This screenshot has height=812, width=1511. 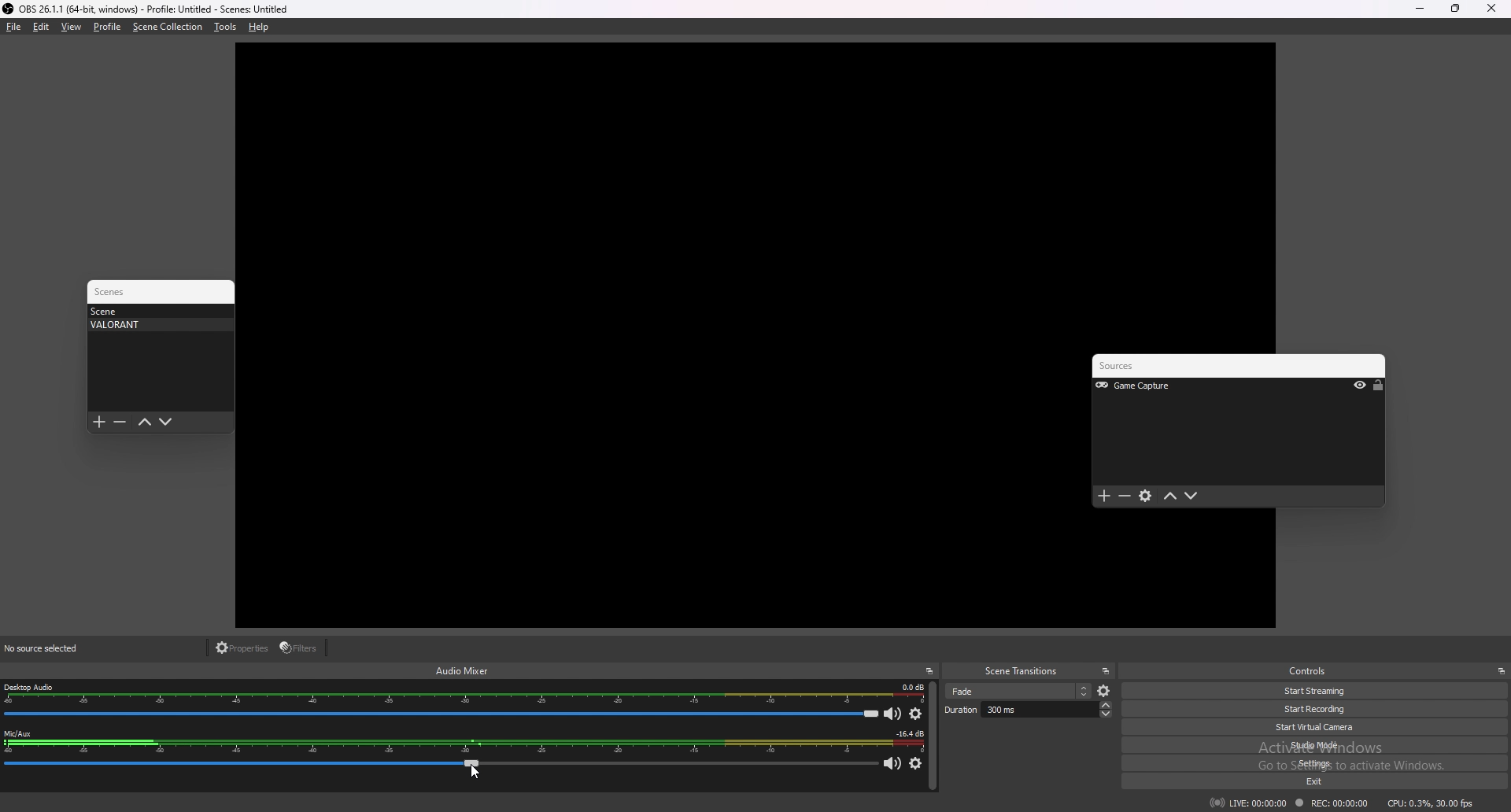 I want to click on pop out, so click(x=1501, y=671).